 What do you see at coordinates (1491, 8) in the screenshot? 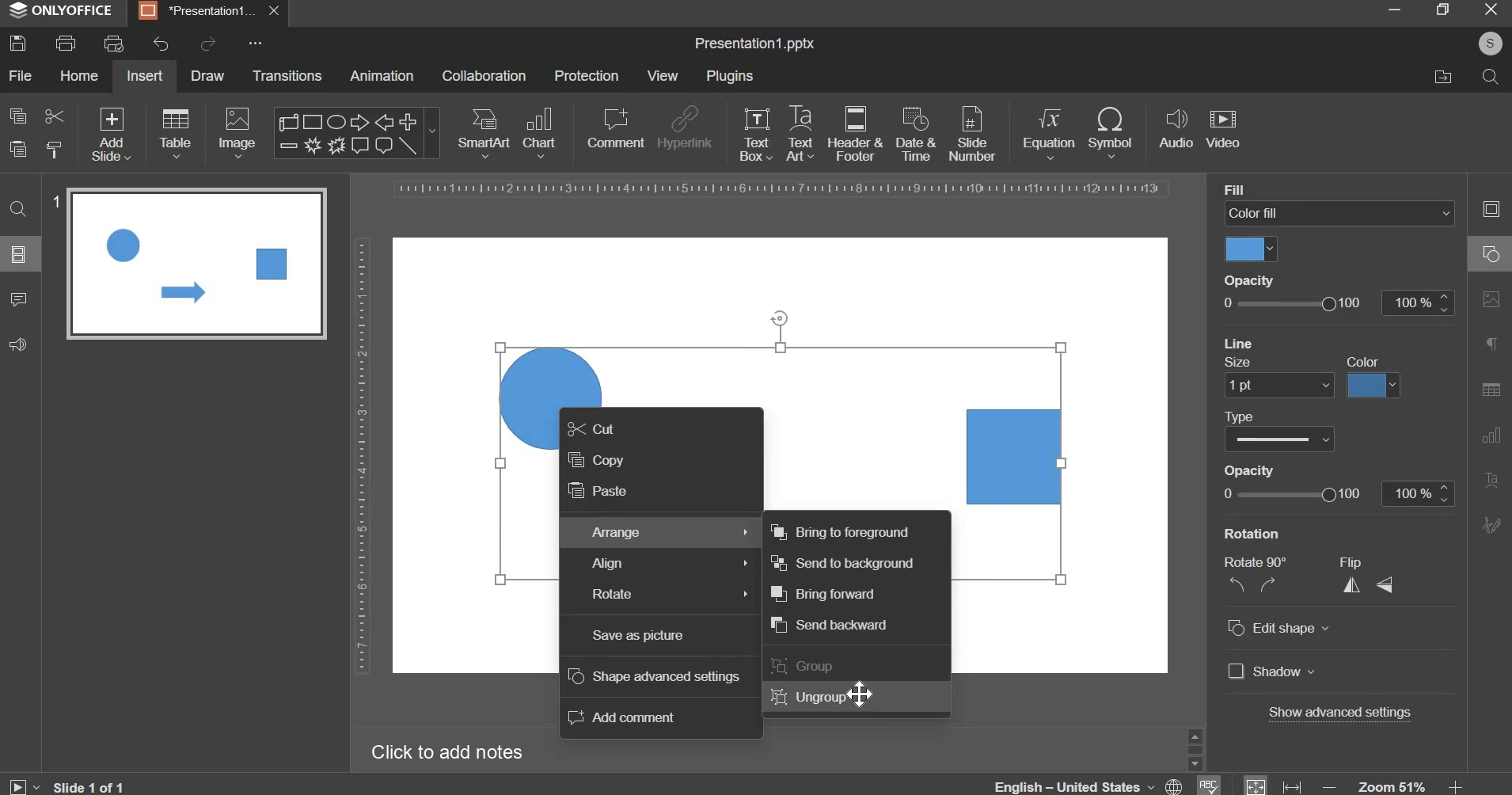
I see `exit` at bounding box center [1491, 8].